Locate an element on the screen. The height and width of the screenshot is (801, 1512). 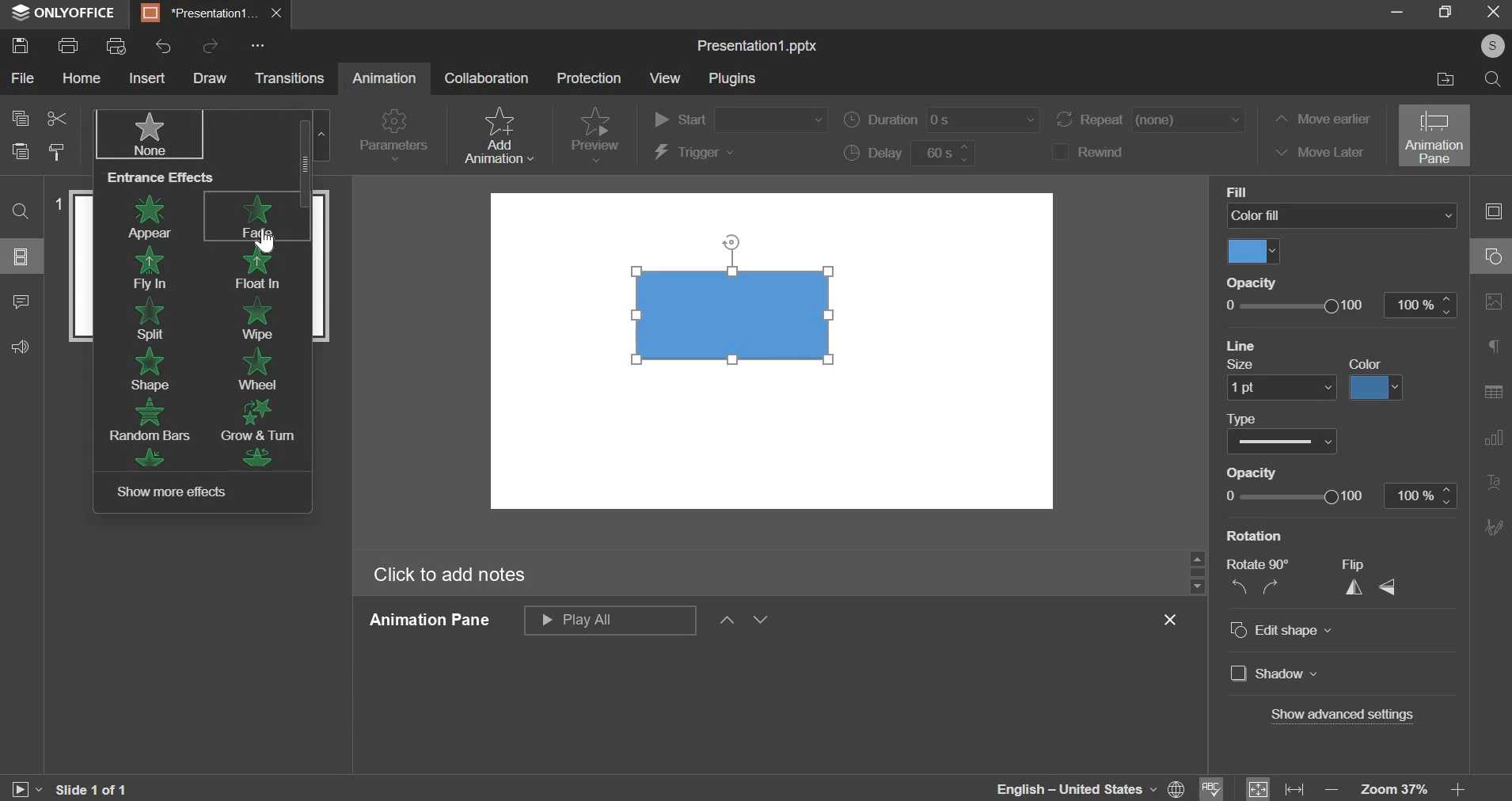
zoom out is located at coordinates (1330, 789).